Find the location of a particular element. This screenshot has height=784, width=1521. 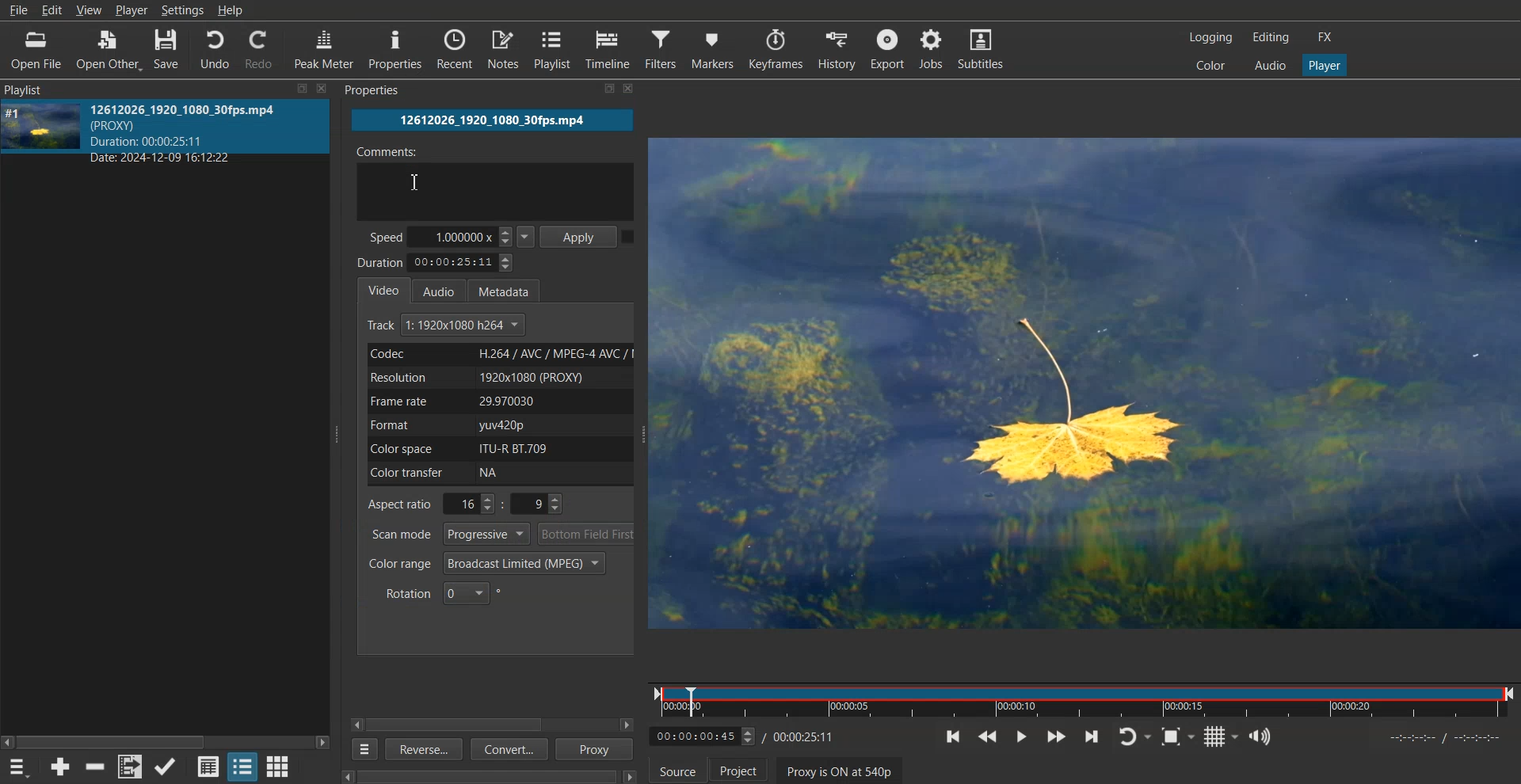

Redo is located at coordinates (262, 48).